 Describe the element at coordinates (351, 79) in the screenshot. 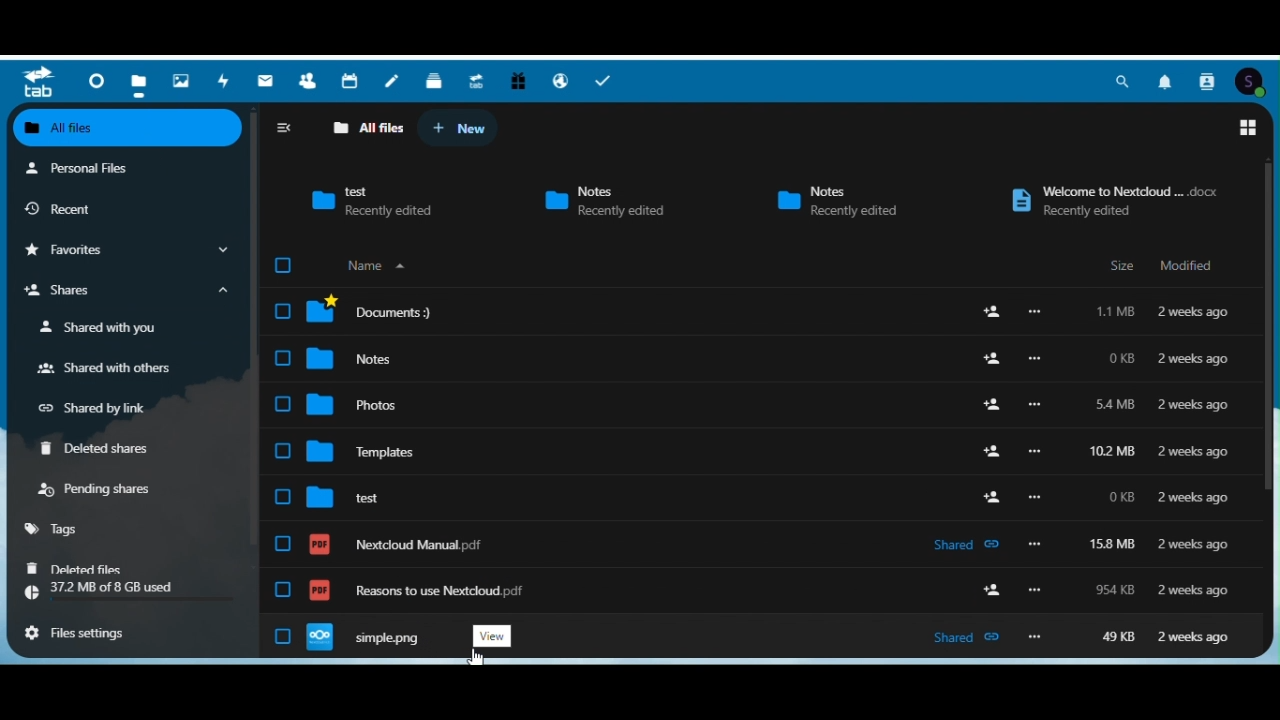

I see `Calendar` at that location.